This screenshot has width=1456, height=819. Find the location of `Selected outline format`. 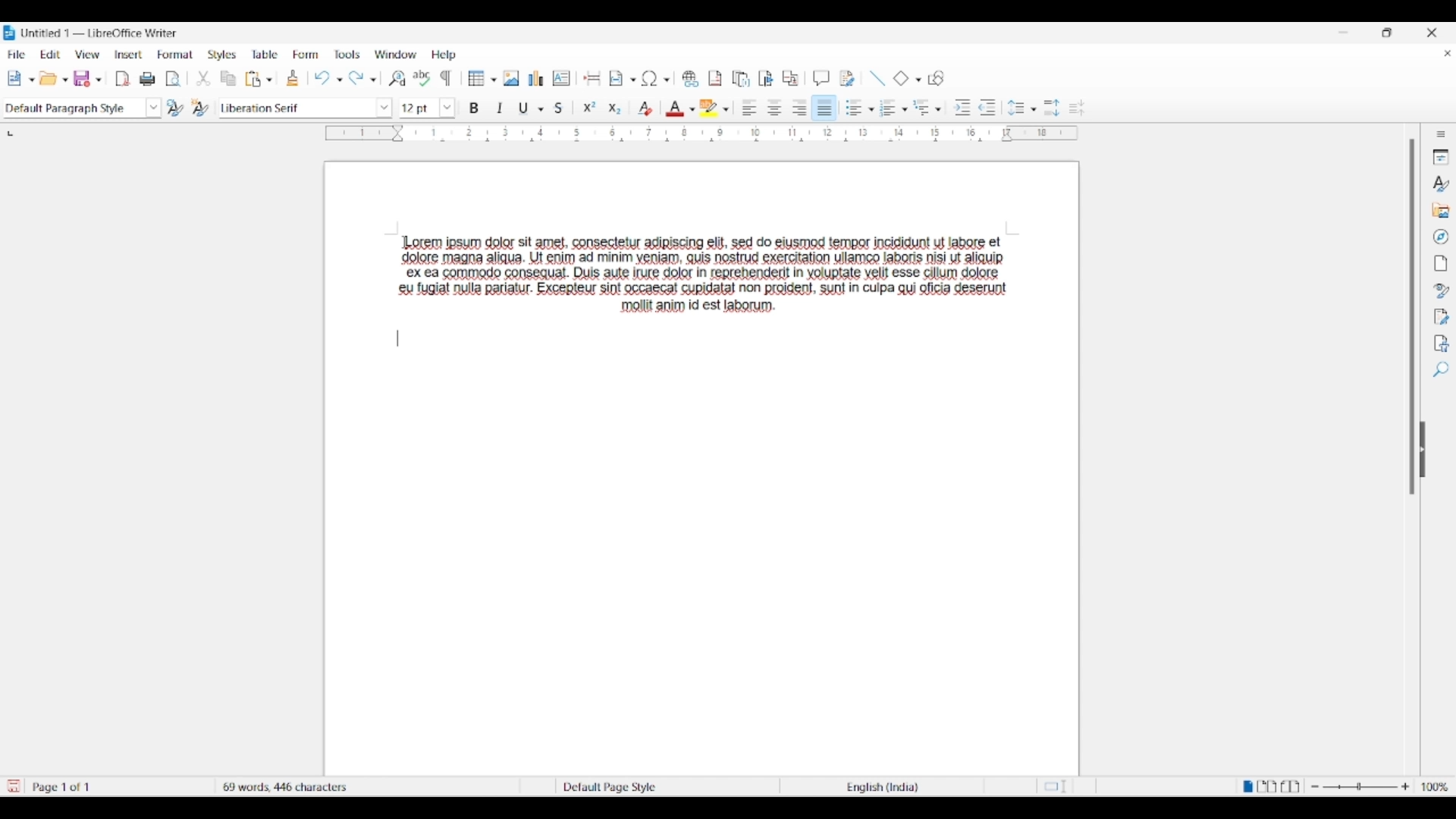

Selected outline format is located at coordinates (921, 107).